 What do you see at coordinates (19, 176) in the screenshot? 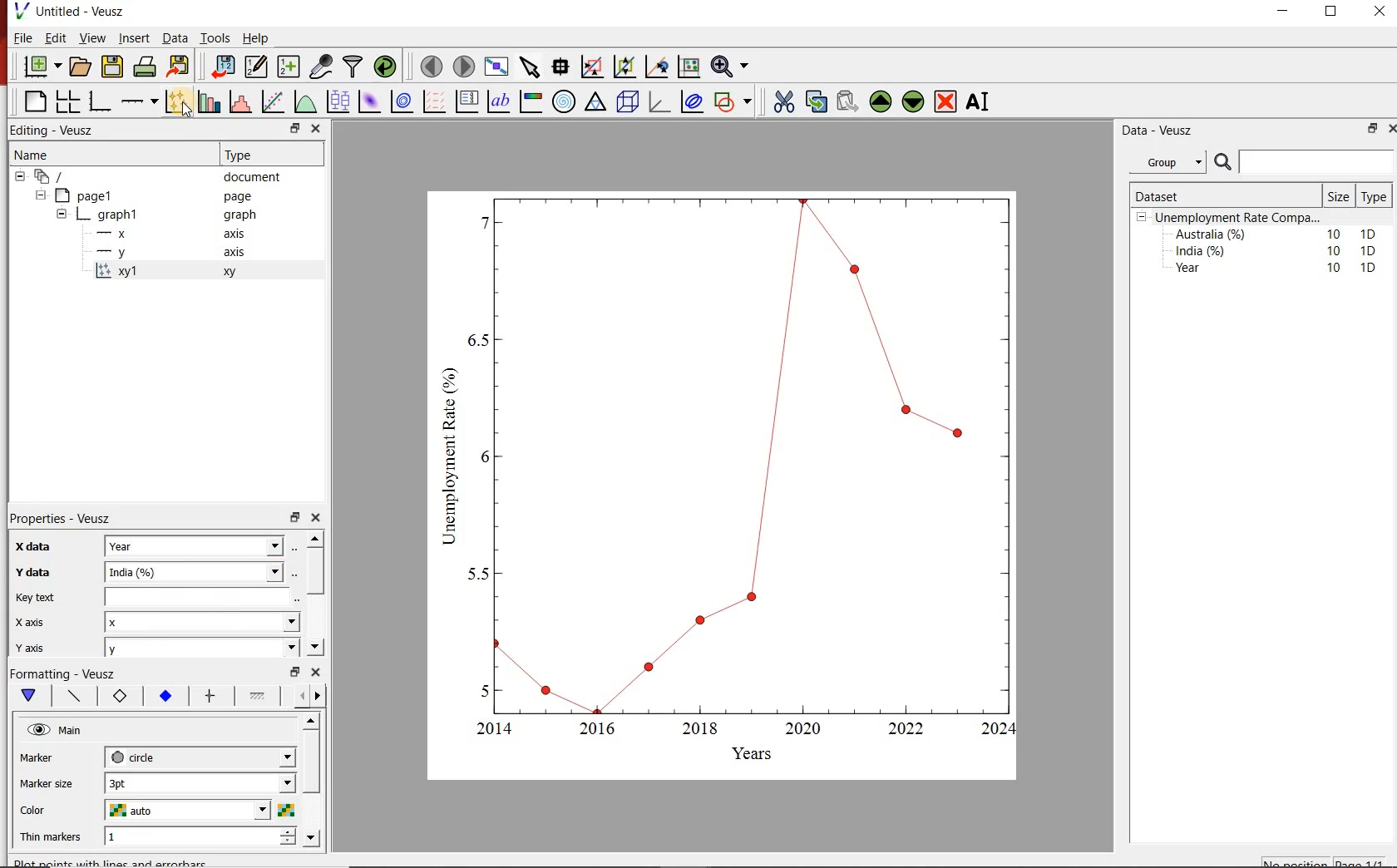
I see `collapse` at bounding box center [19, 176].